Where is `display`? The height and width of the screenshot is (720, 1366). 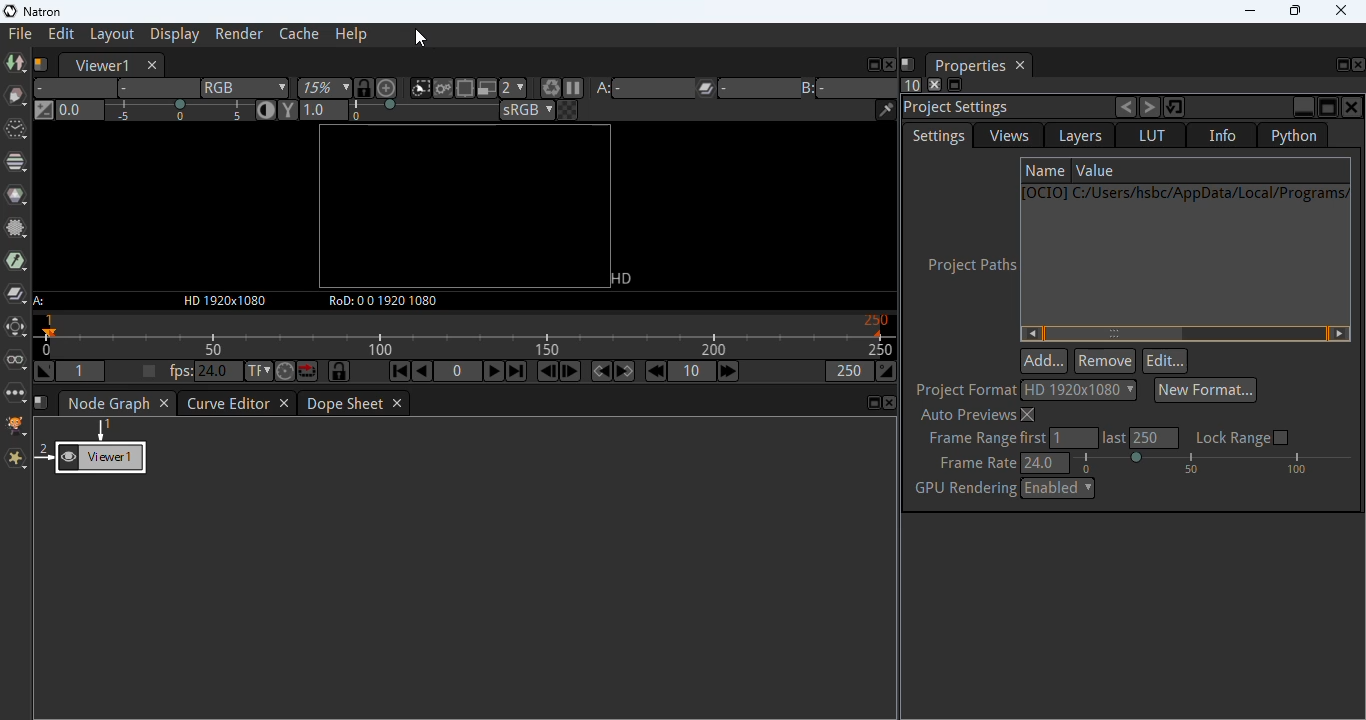 display is located at coordinates (176, 35).